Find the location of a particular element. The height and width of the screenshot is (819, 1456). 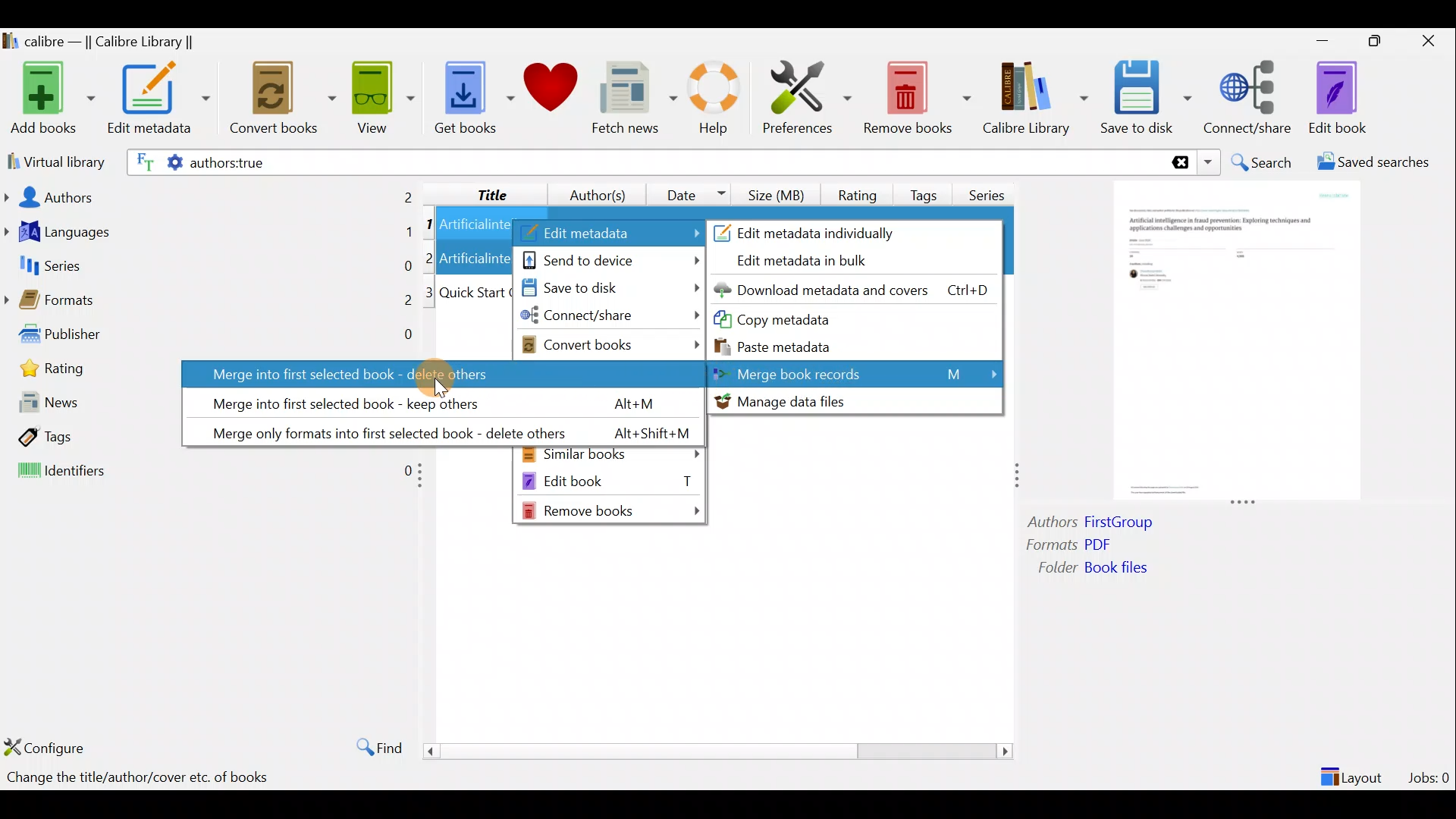

Help is located at coordinates (711, 100).